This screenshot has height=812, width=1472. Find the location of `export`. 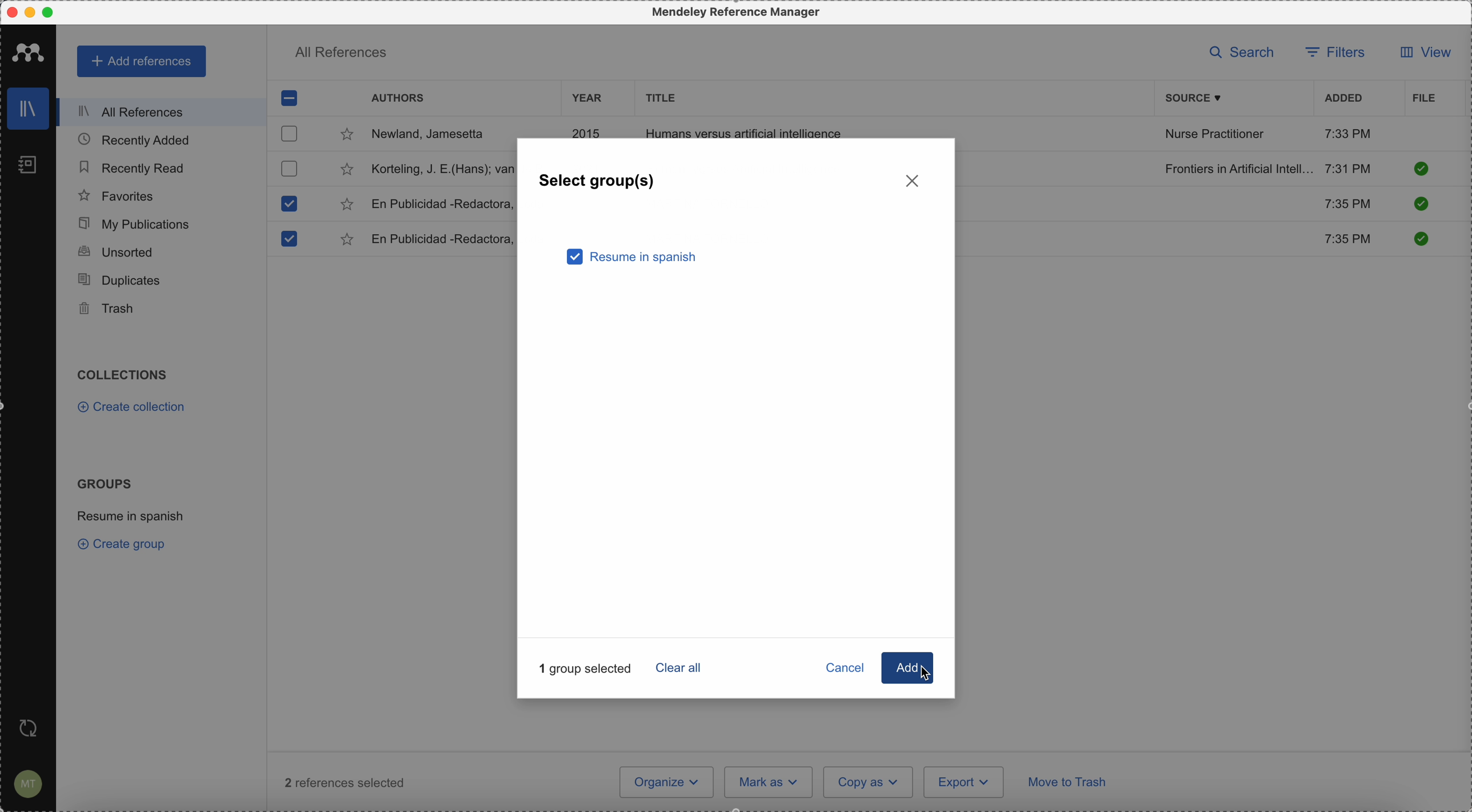

export is located at coordinates (963, 782).